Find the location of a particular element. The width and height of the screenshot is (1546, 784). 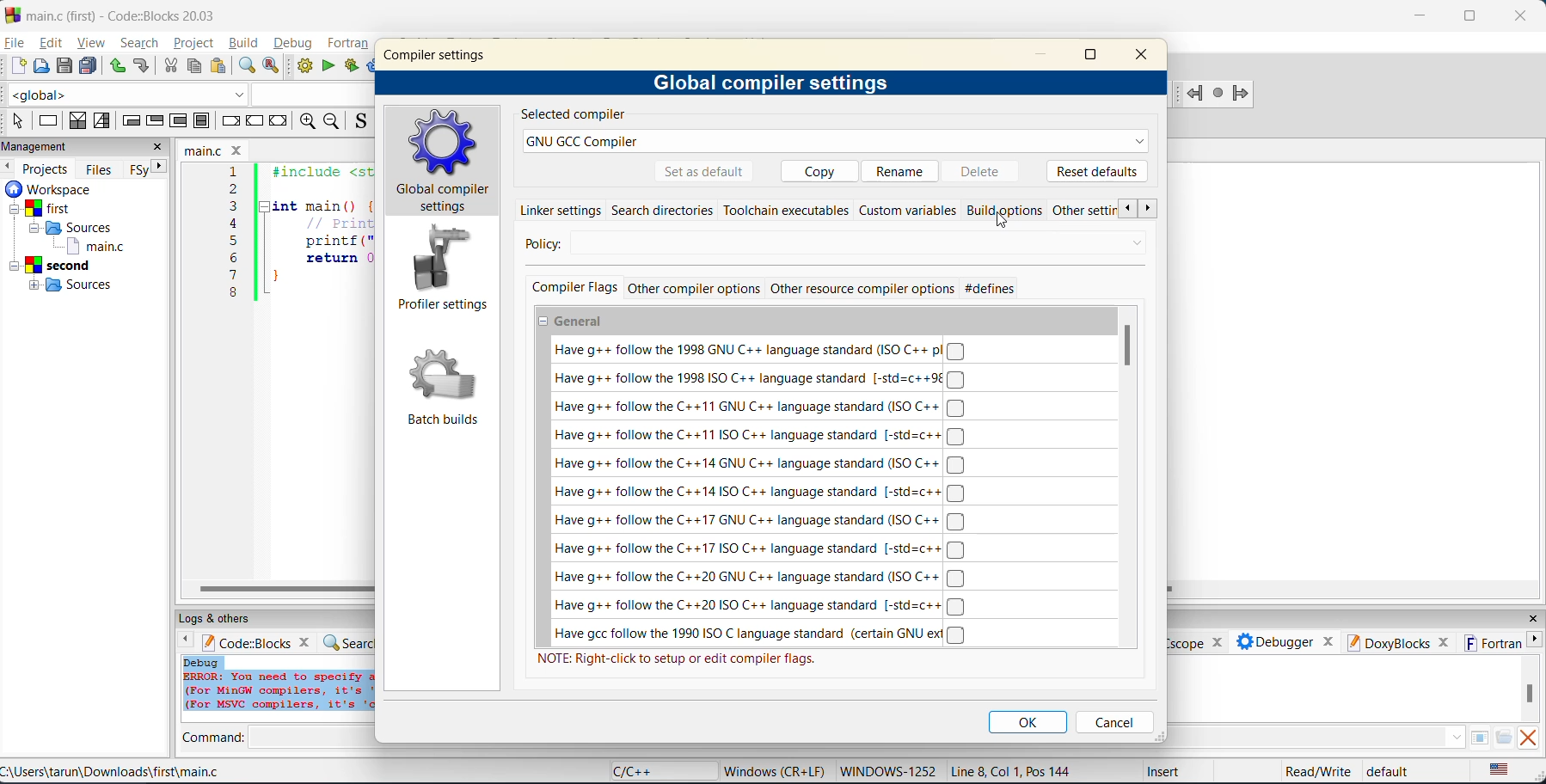

cancel is located at coordinates (1113, 722).